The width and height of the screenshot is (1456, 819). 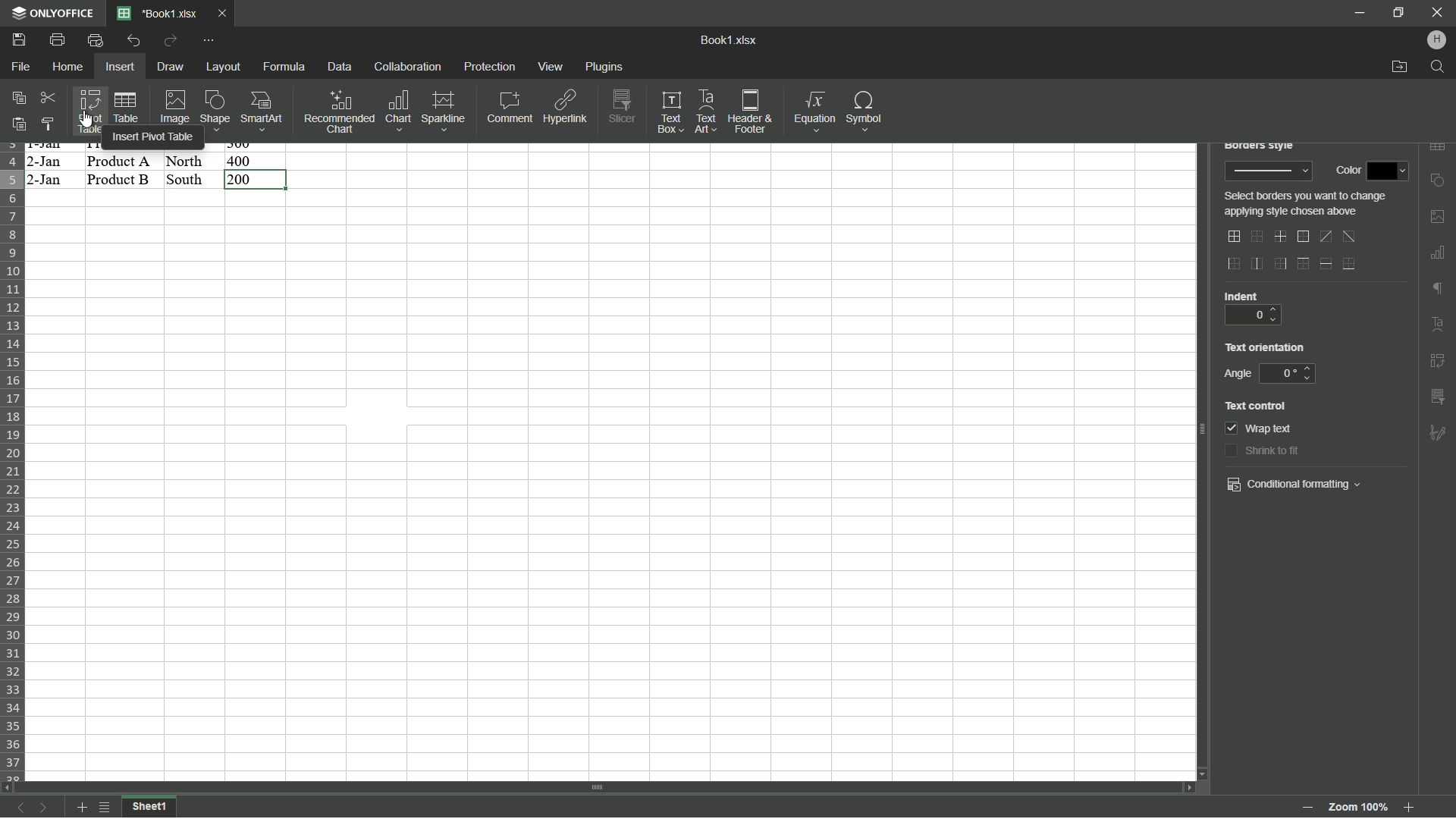 What do you see at coordinates (14, 461) in the screenshot?
I see `row number` at bounding box center [14, 461].